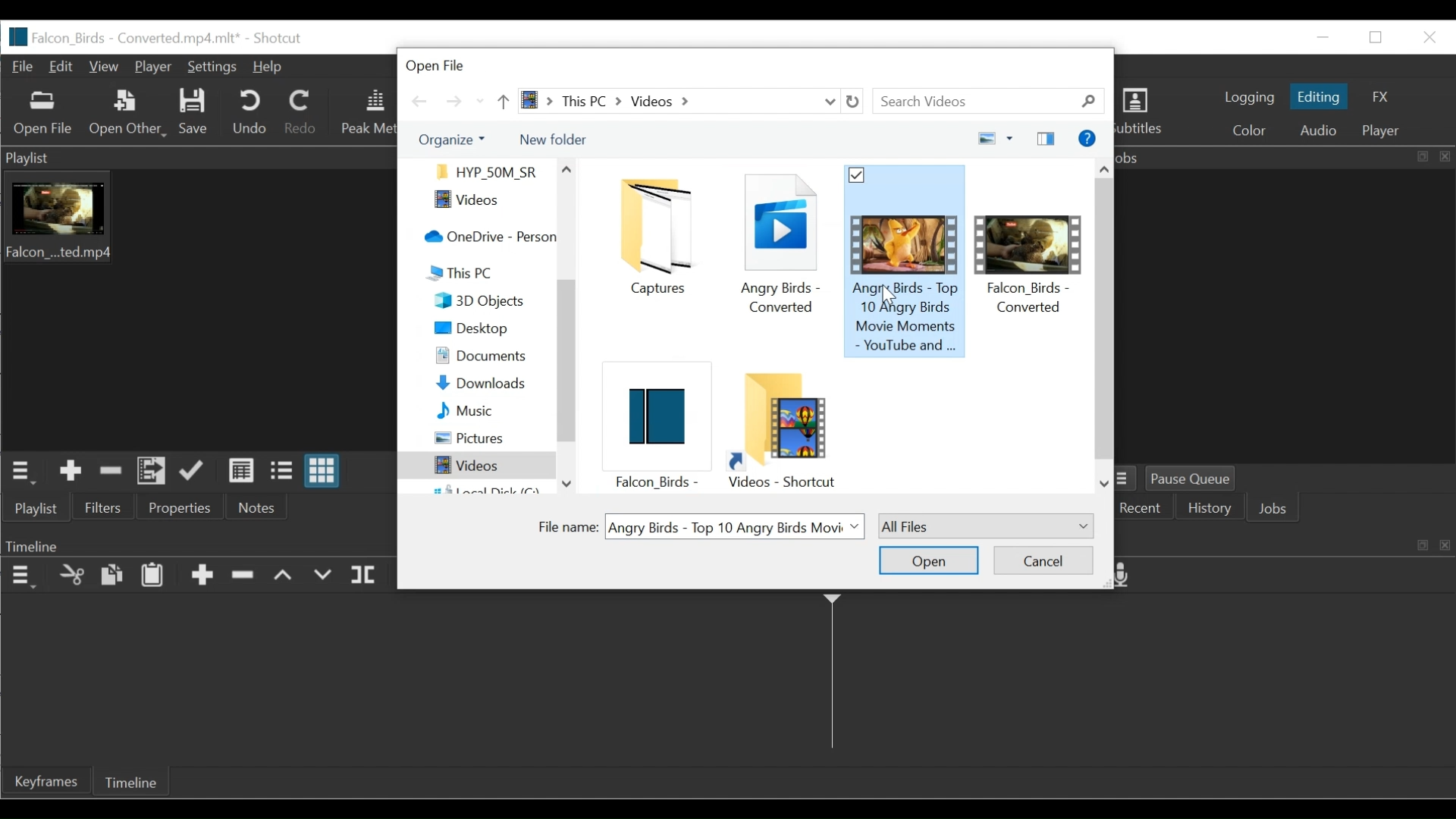 The height and width of the screenshot is (819, 1456). I want to click on Jobs, so click(1277, 510).